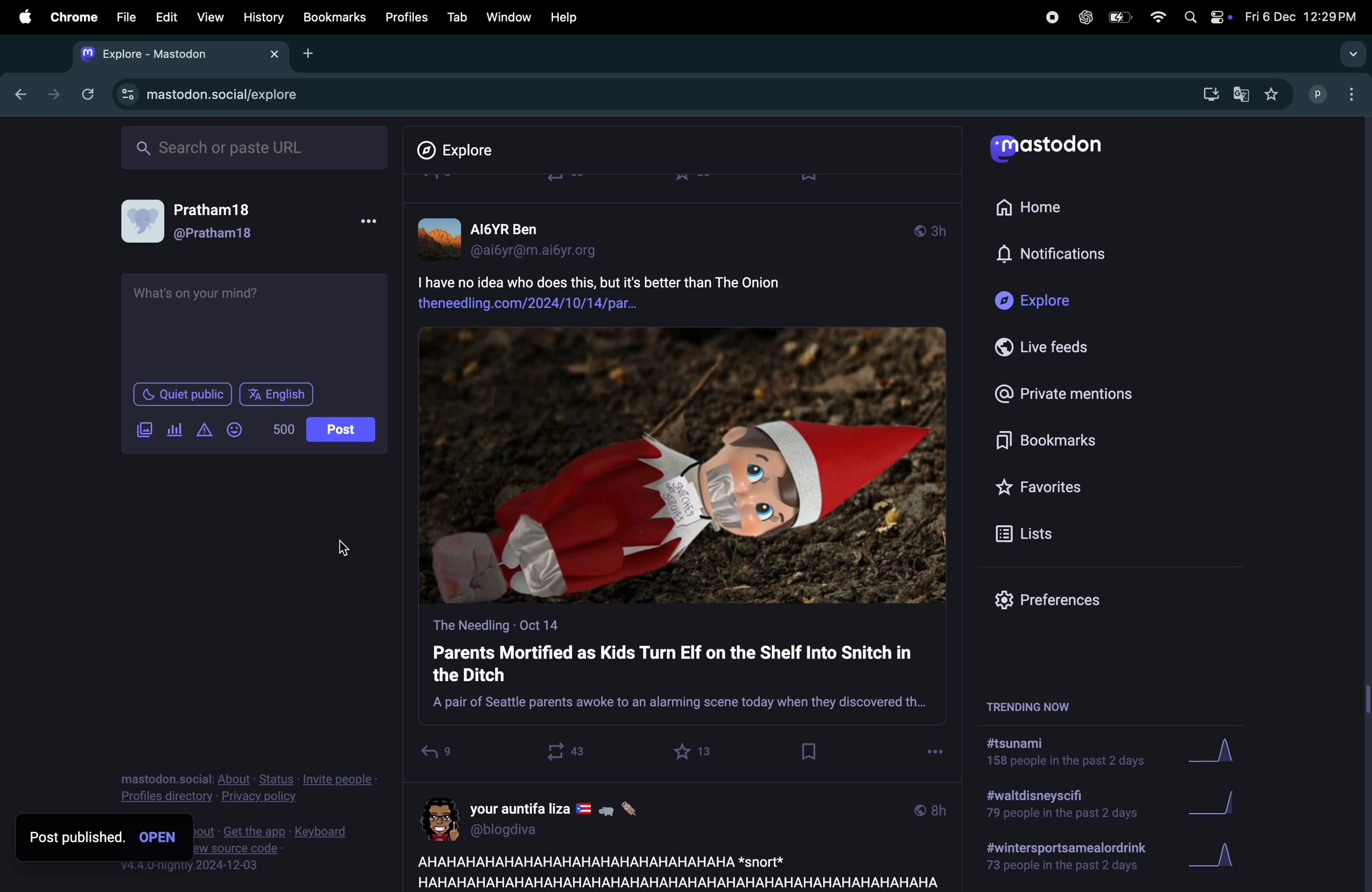 This screenshot has height=892, width=1372. I want to click on trending now, so click(1042, 705).